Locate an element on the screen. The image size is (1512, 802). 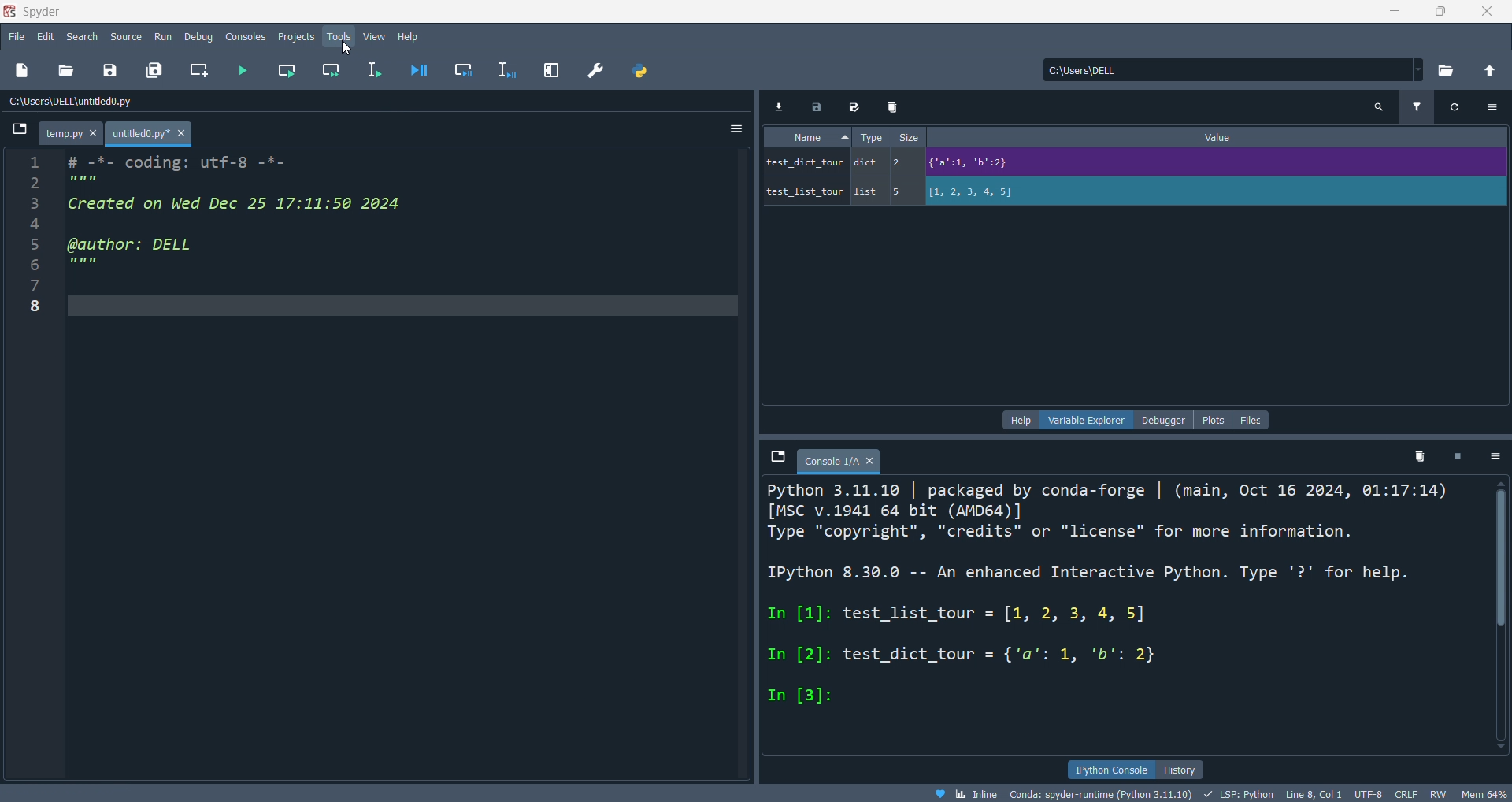
select directory is located at coordinates (1446, 70).